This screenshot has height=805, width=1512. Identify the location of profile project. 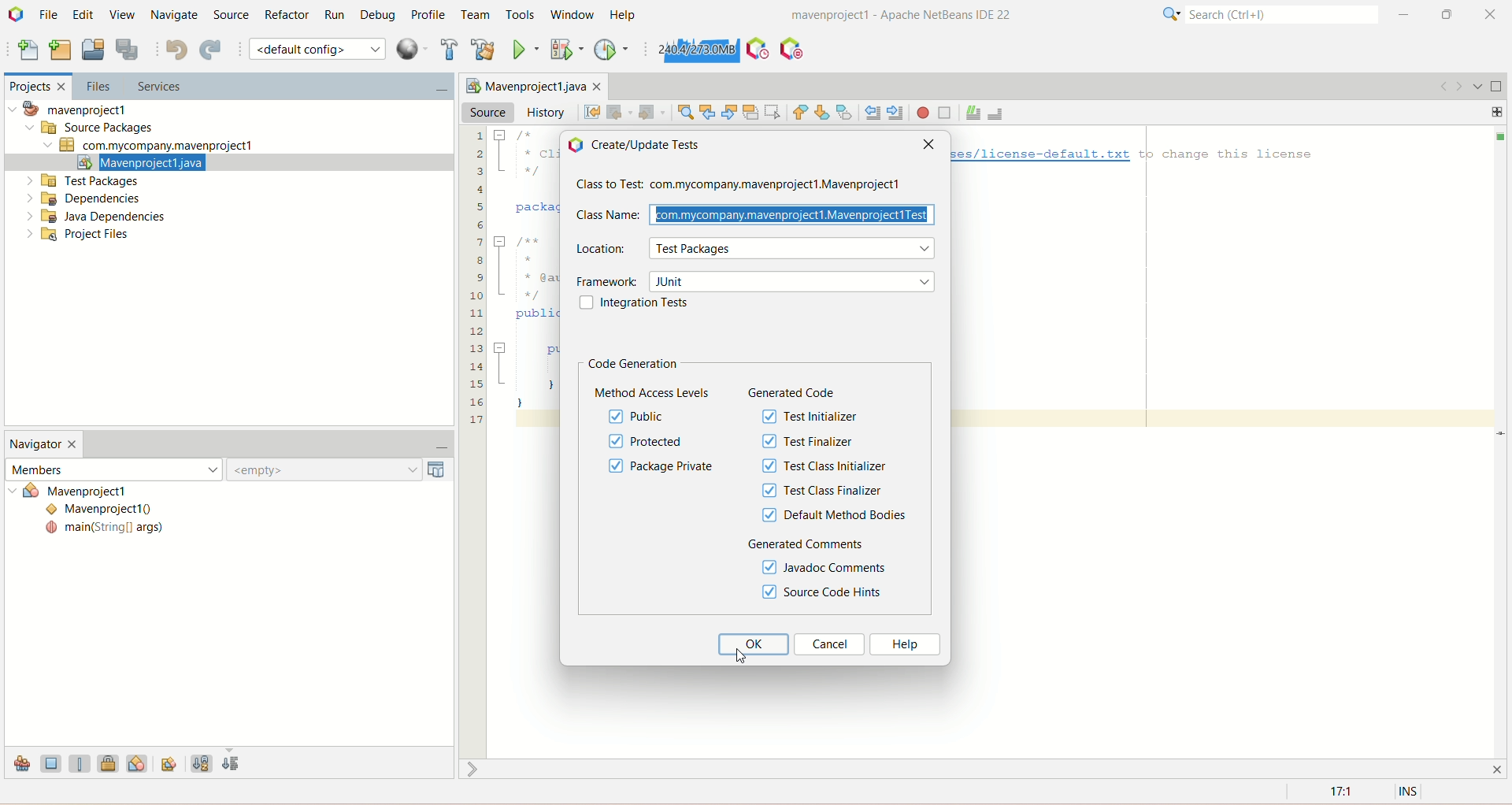
(613, 50).